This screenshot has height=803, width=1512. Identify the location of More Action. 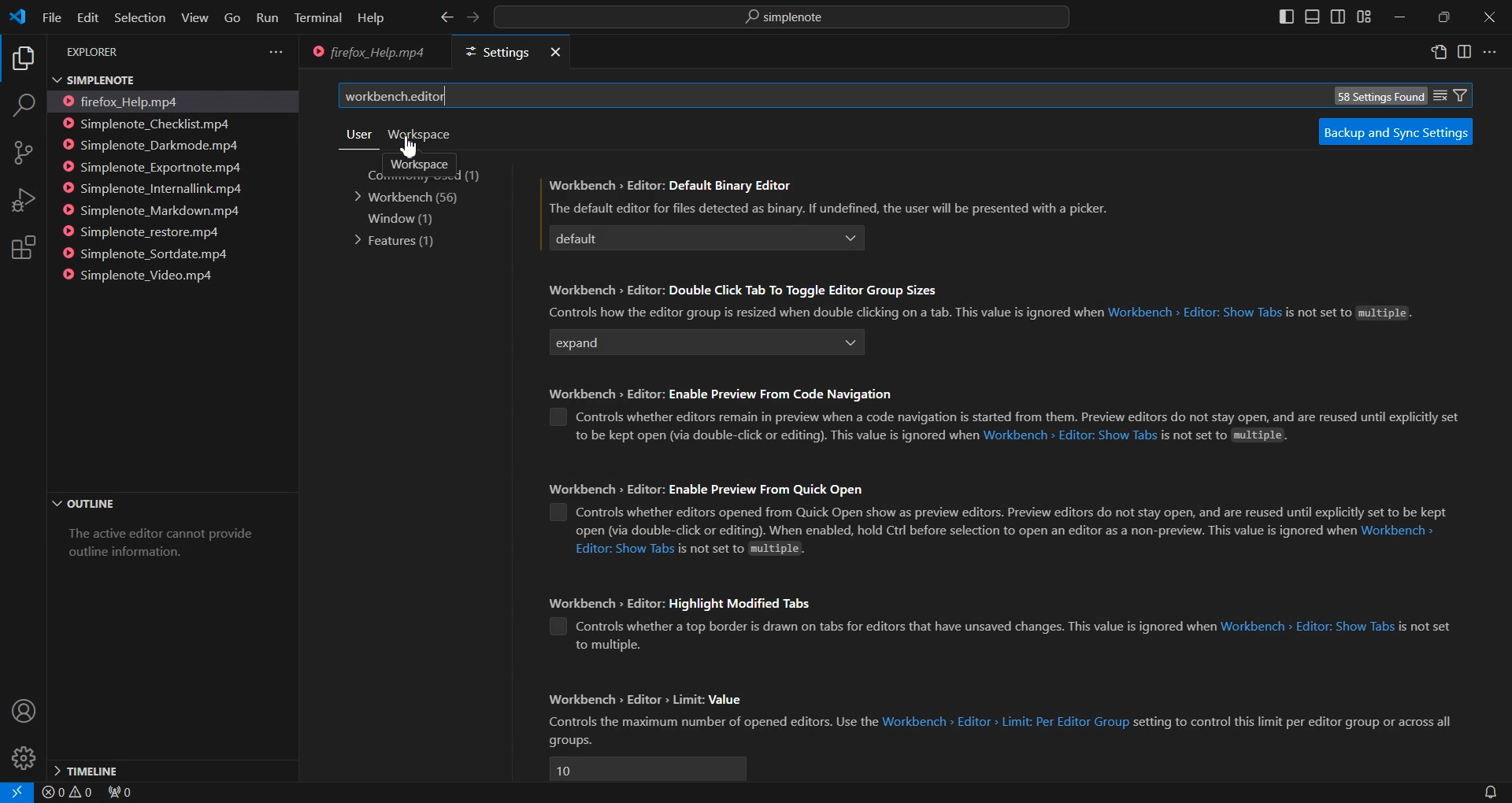
(1489, 52).